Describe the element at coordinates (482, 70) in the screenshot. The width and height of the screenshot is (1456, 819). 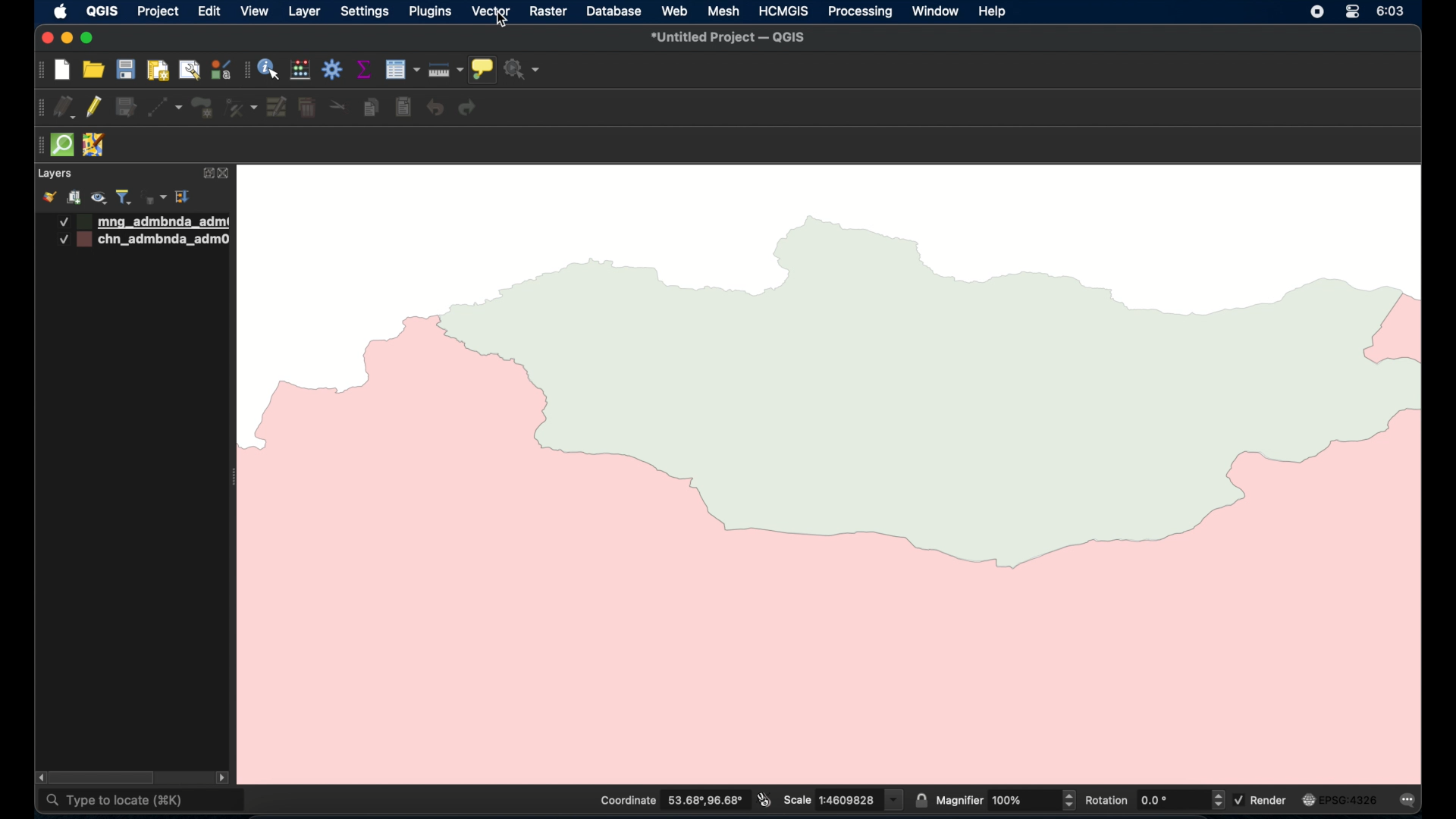
I see `show map tips` at that location.